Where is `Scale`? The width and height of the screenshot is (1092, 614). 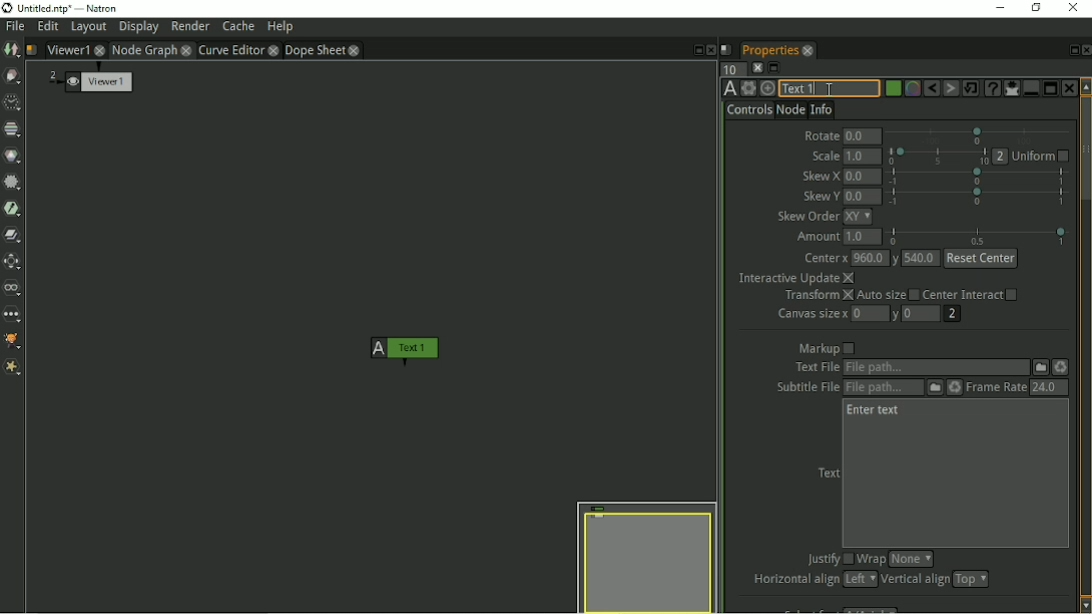
Scale is located at coordinates (824, 155).